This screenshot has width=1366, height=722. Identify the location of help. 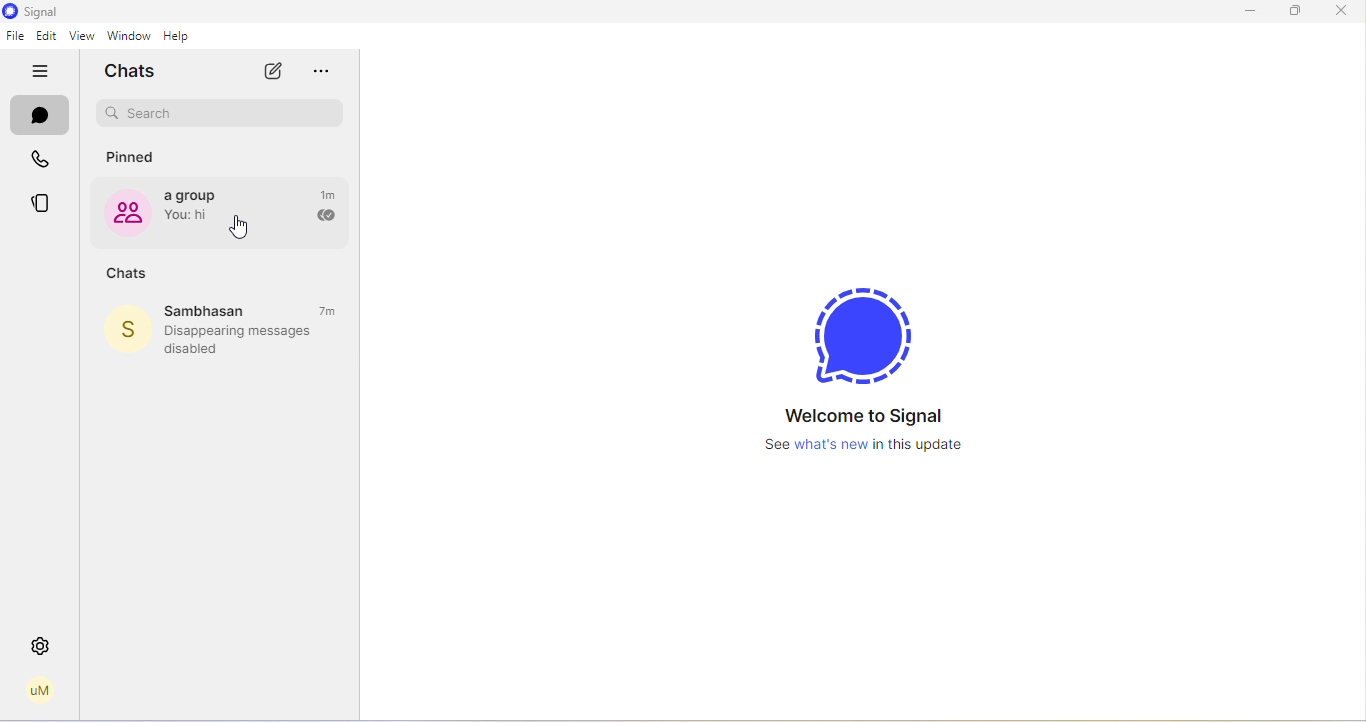
(183, 36).